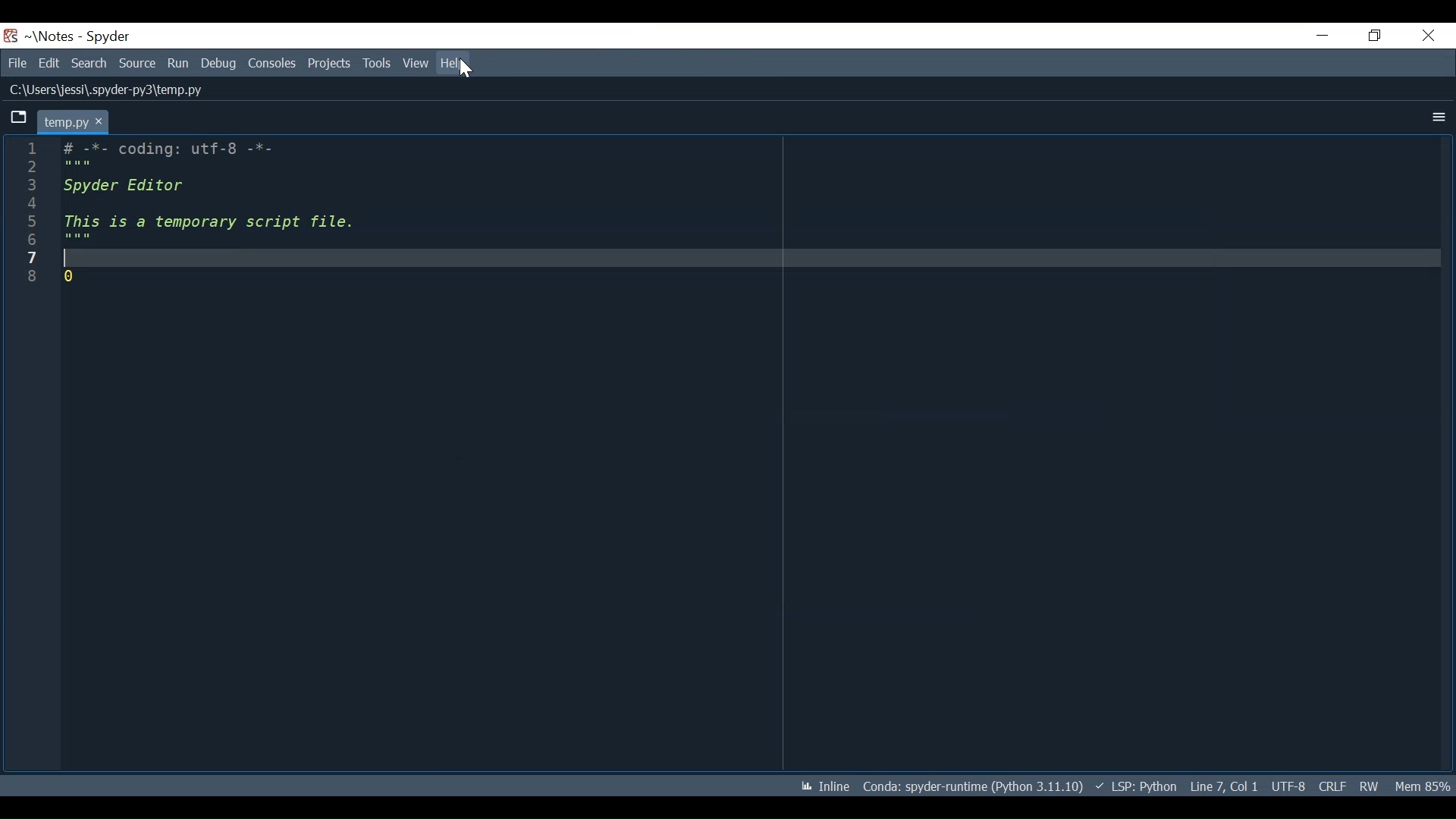 The image size is (1456, 819). Describe the element at coordinates (73, 121) in the screenshot. I see `temp.py` at that location.